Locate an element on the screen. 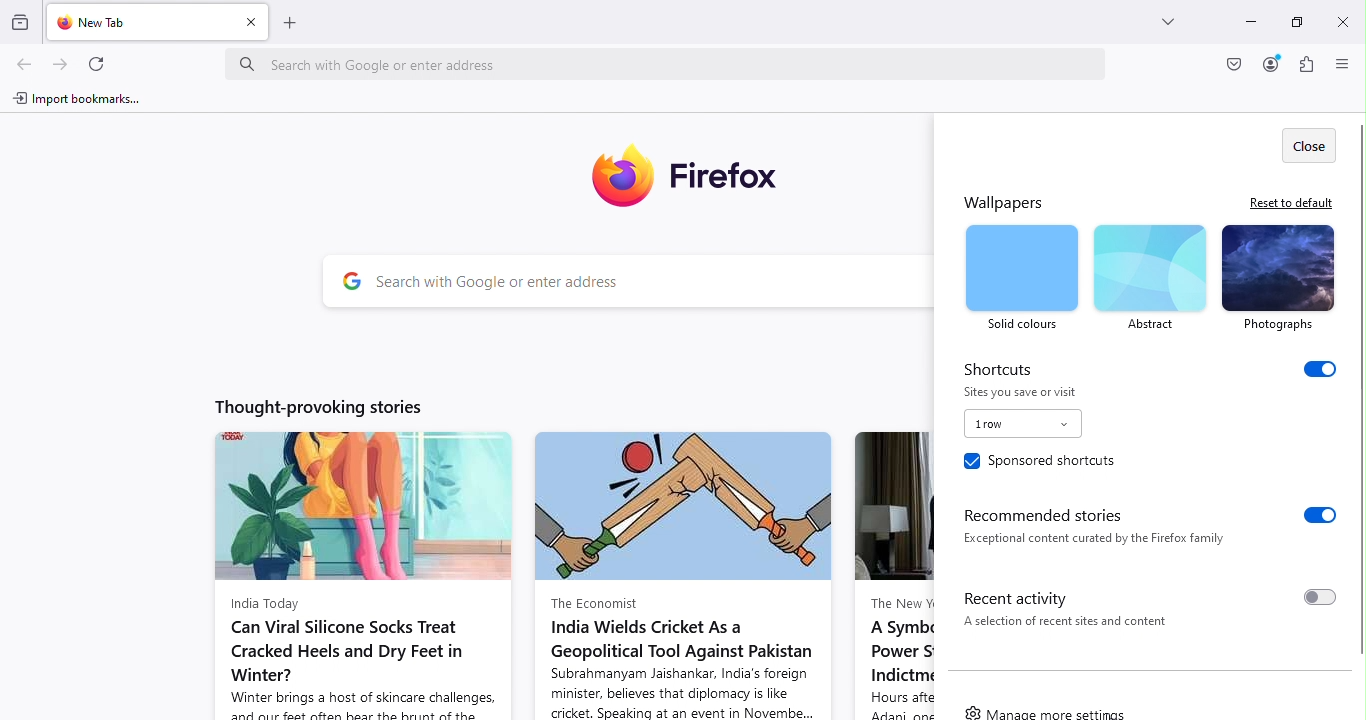  Thought-provoking stories is located at coordinates (308, 405).